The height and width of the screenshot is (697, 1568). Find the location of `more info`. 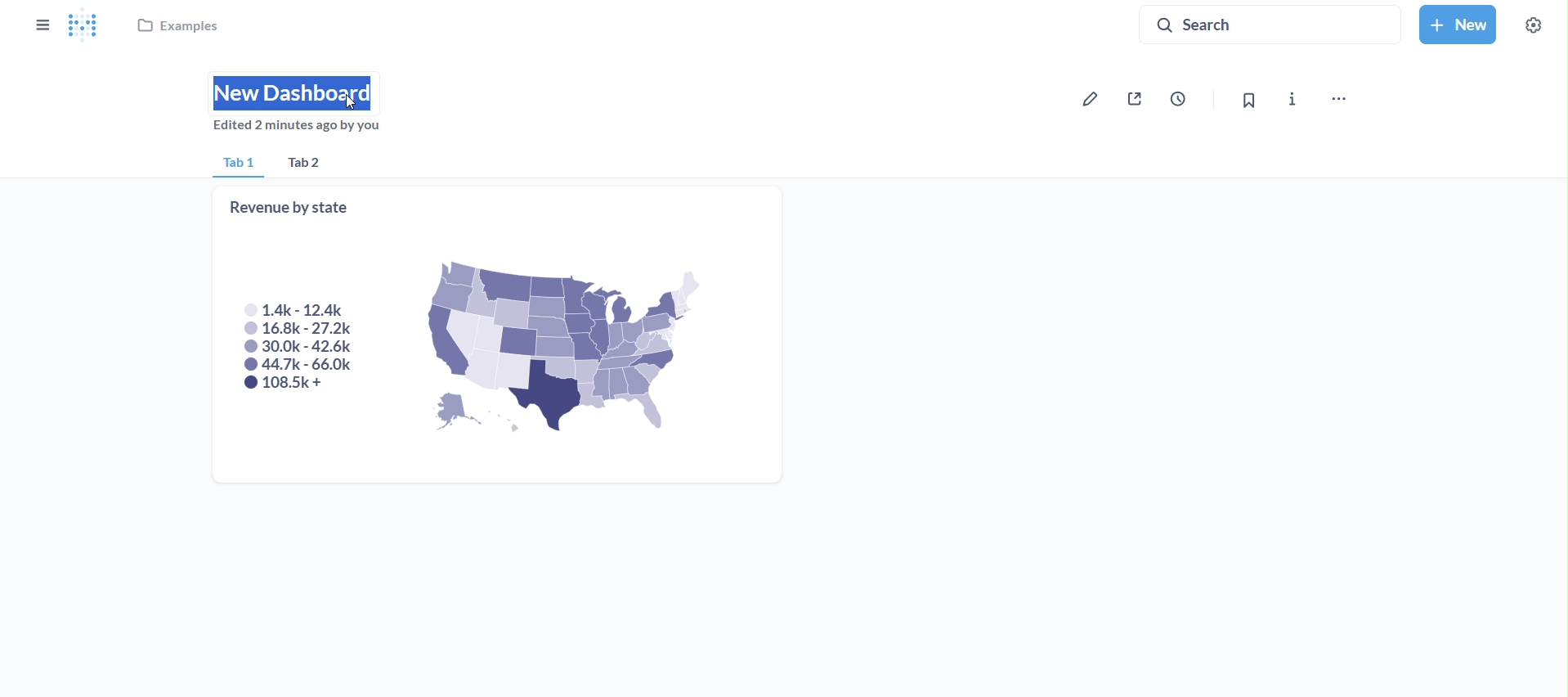

more info is located at coordinates (1292, 100).